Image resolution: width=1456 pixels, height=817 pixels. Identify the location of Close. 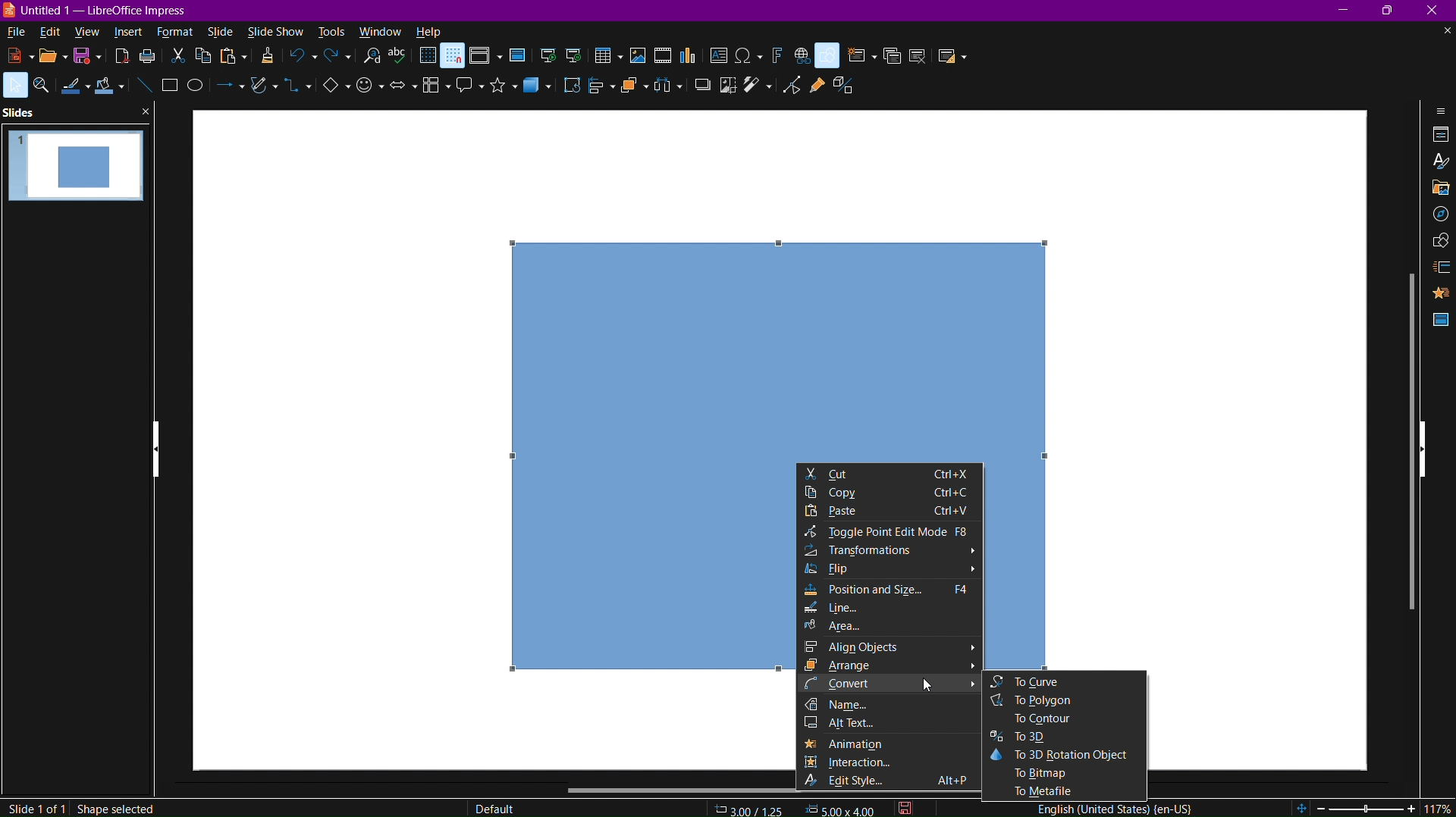
(1436, 11).